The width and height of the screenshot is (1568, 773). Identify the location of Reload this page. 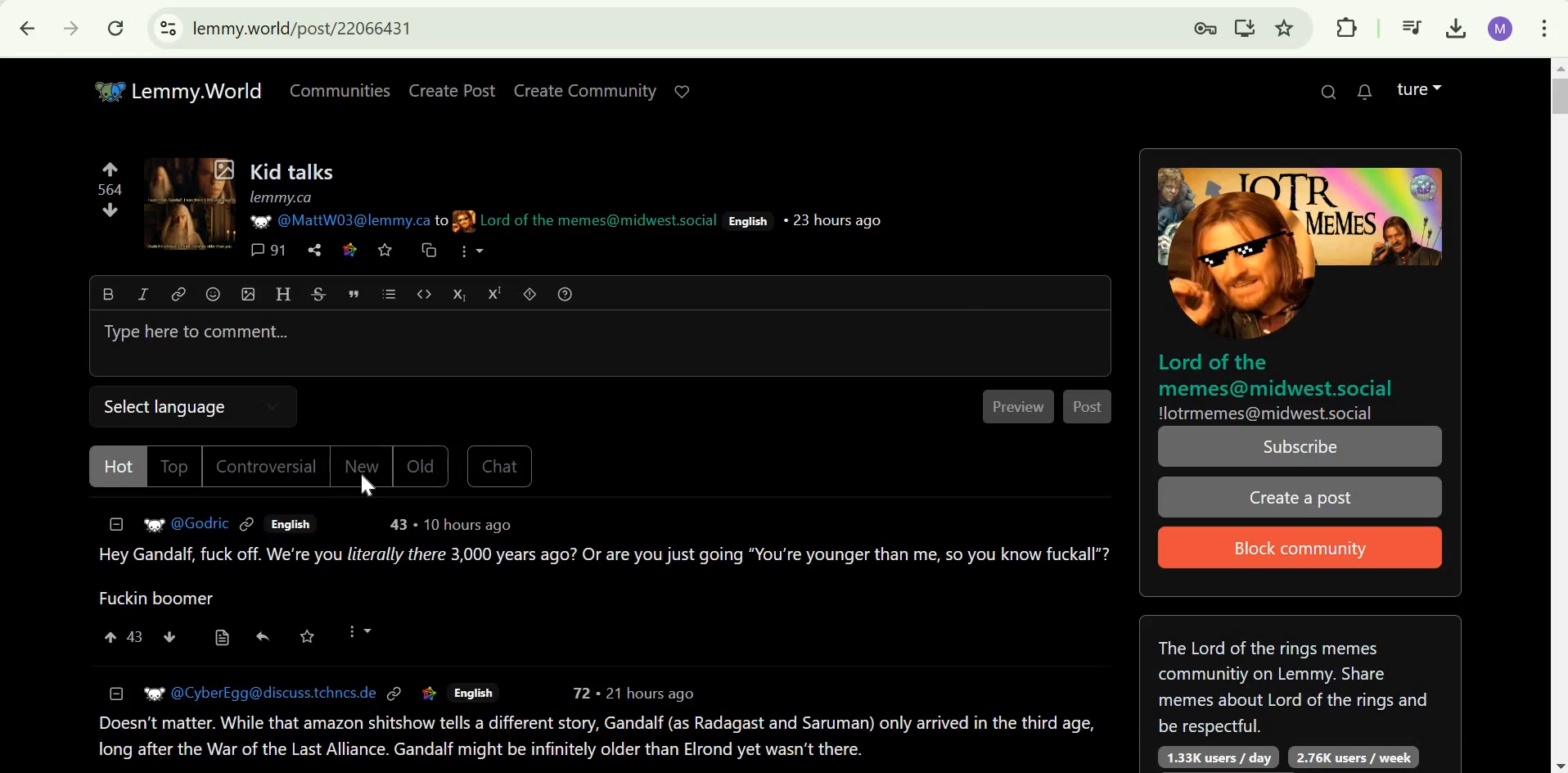
(116, 29).